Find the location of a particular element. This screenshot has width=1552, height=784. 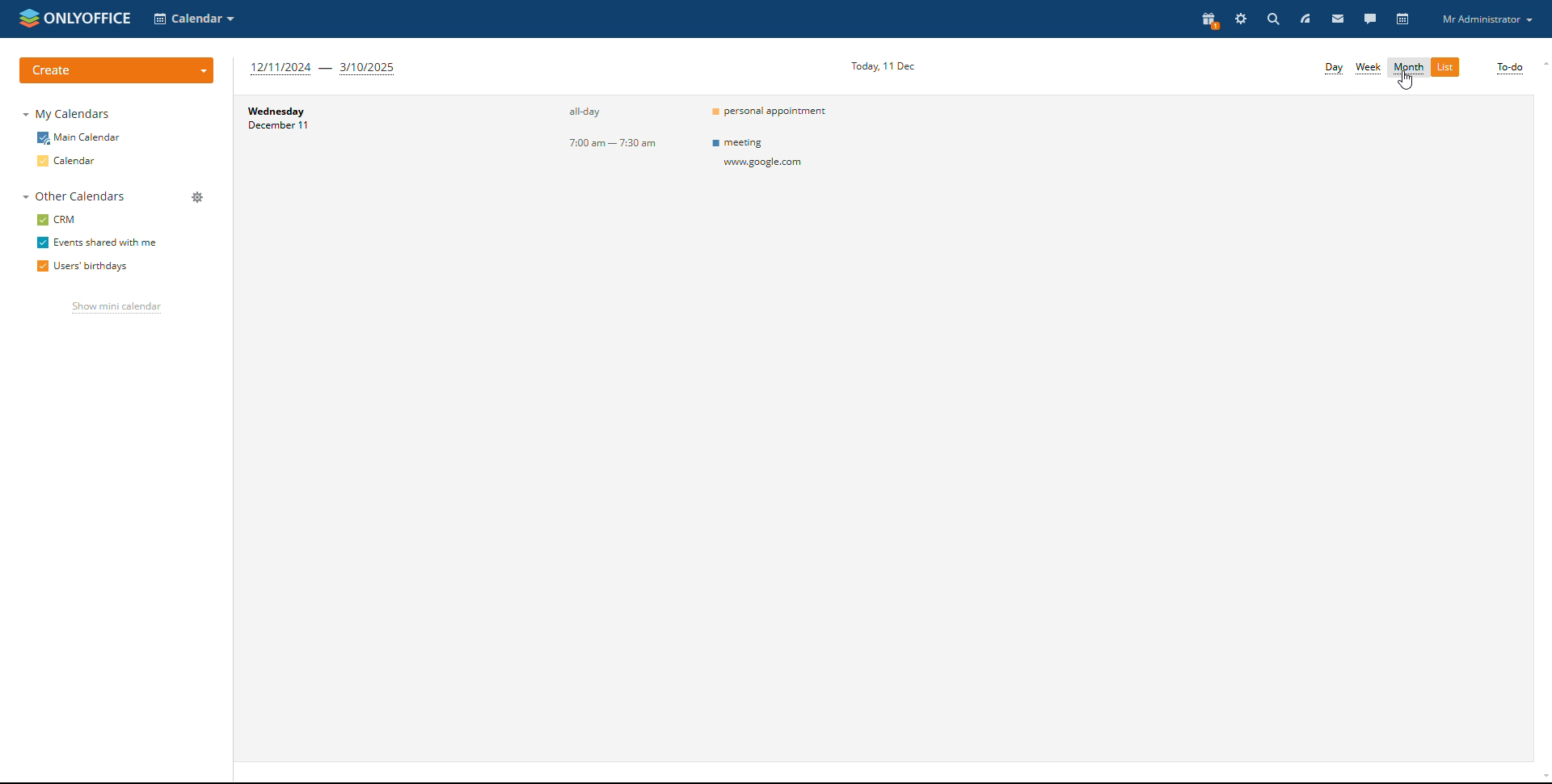

profile is located at coordinates (1487, 19).